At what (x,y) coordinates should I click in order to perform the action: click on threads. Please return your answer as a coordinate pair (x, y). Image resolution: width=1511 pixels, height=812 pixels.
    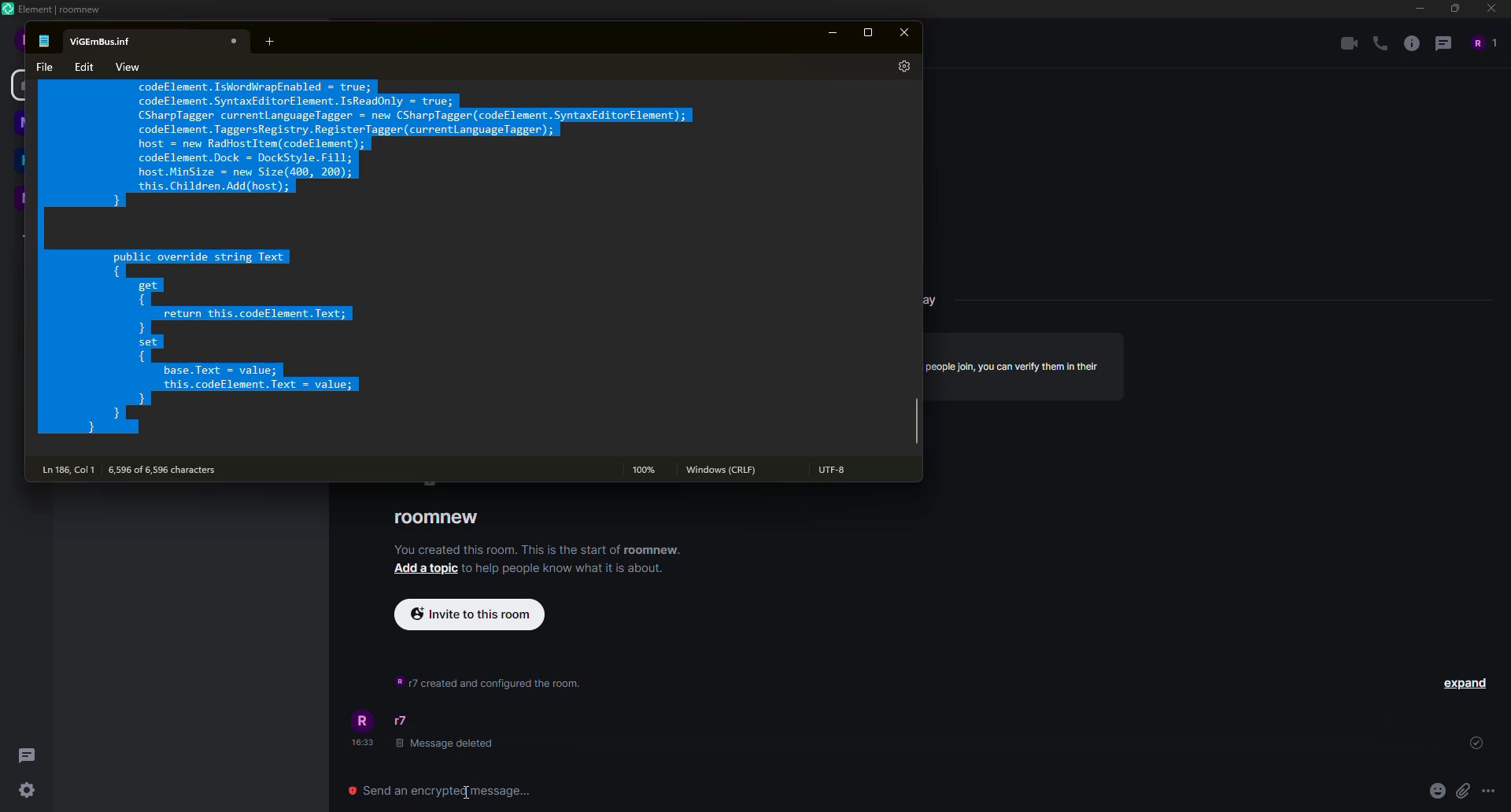
    Looking at the image, I should click on (1443, 42).